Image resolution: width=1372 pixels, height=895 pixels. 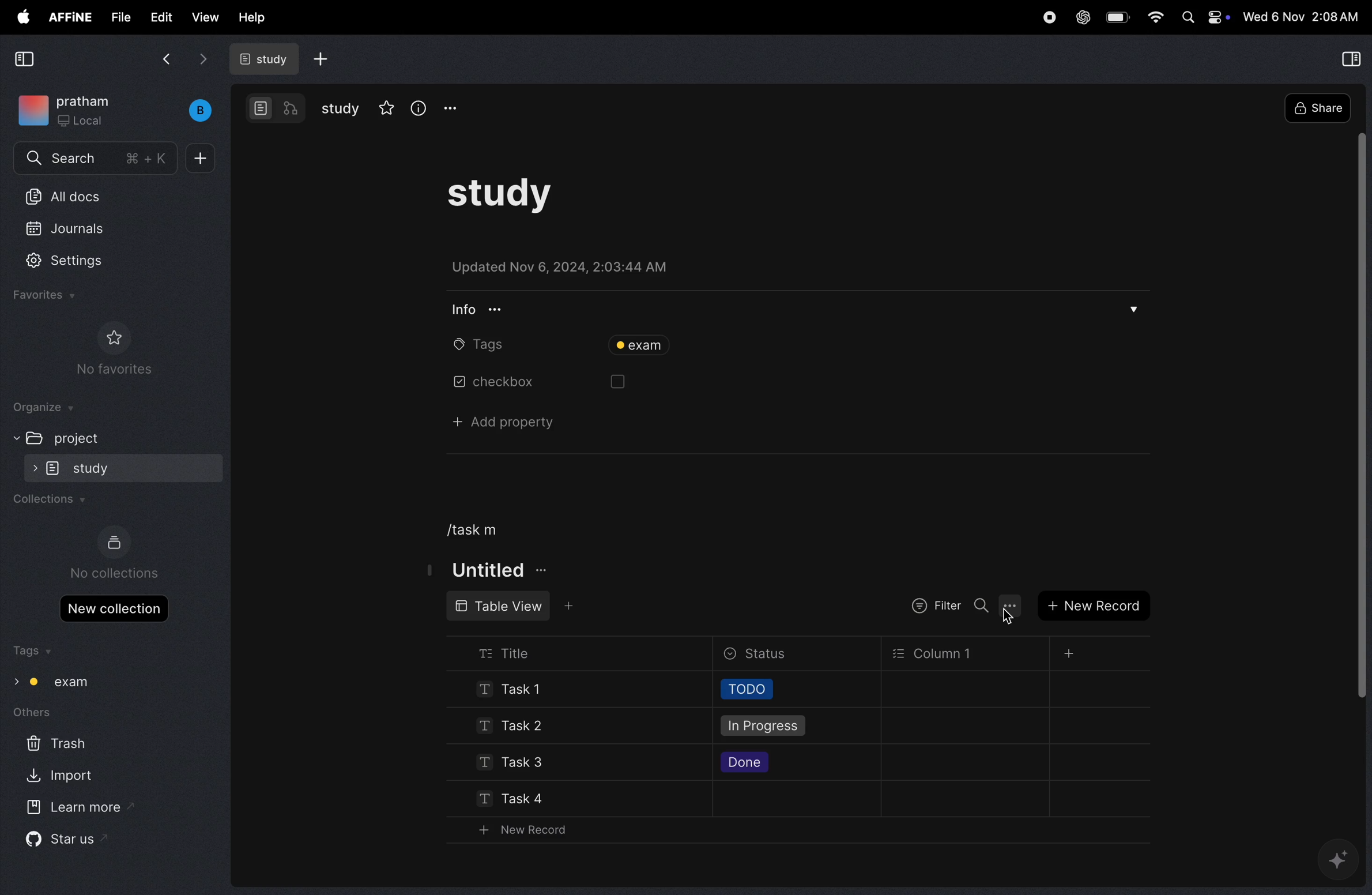 What do you see at coordinates (1011, 607) in the screenshot?
I see `options` at bounding box center [1011, 607].